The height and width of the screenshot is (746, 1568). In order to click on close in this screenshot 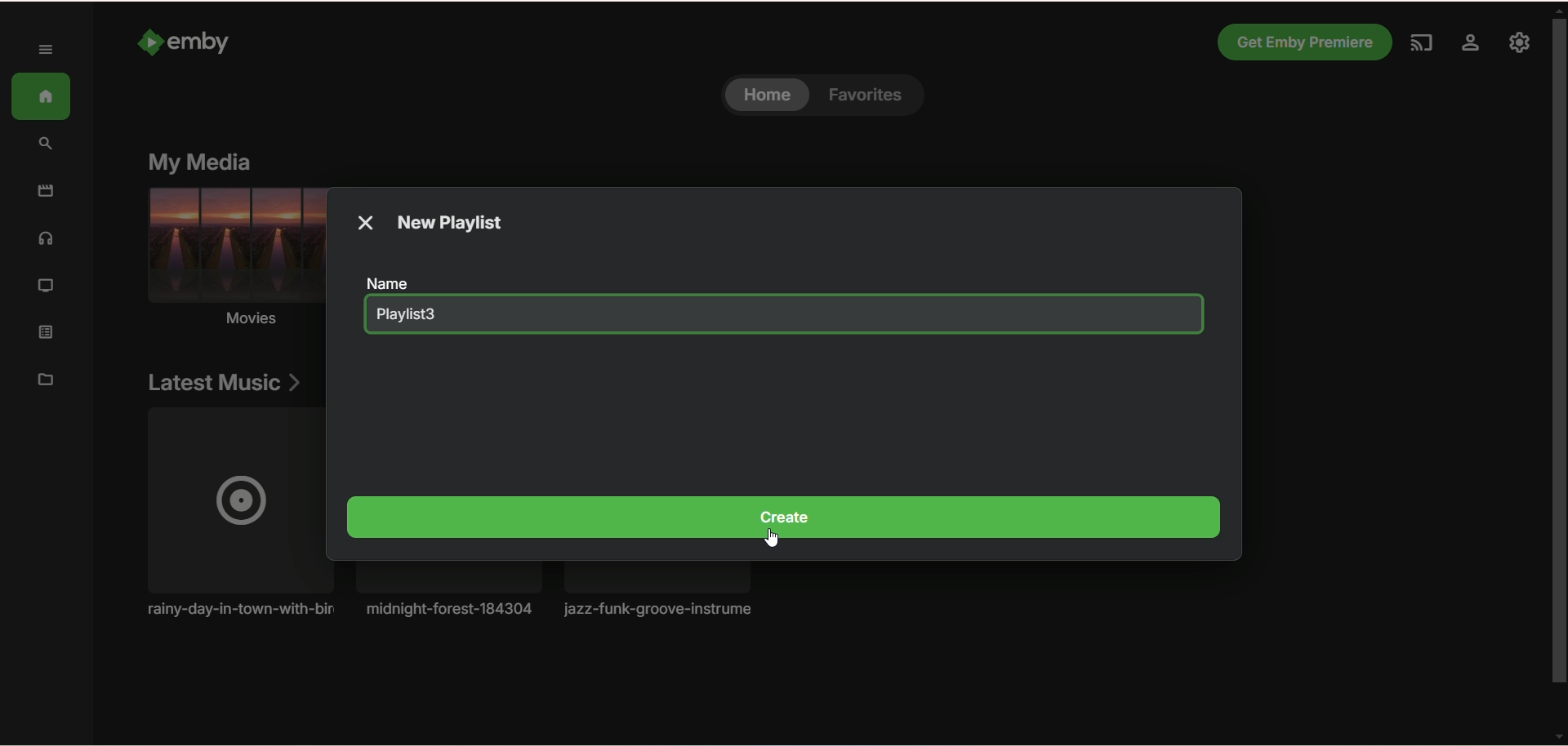, I will do `click(366, 223)`.